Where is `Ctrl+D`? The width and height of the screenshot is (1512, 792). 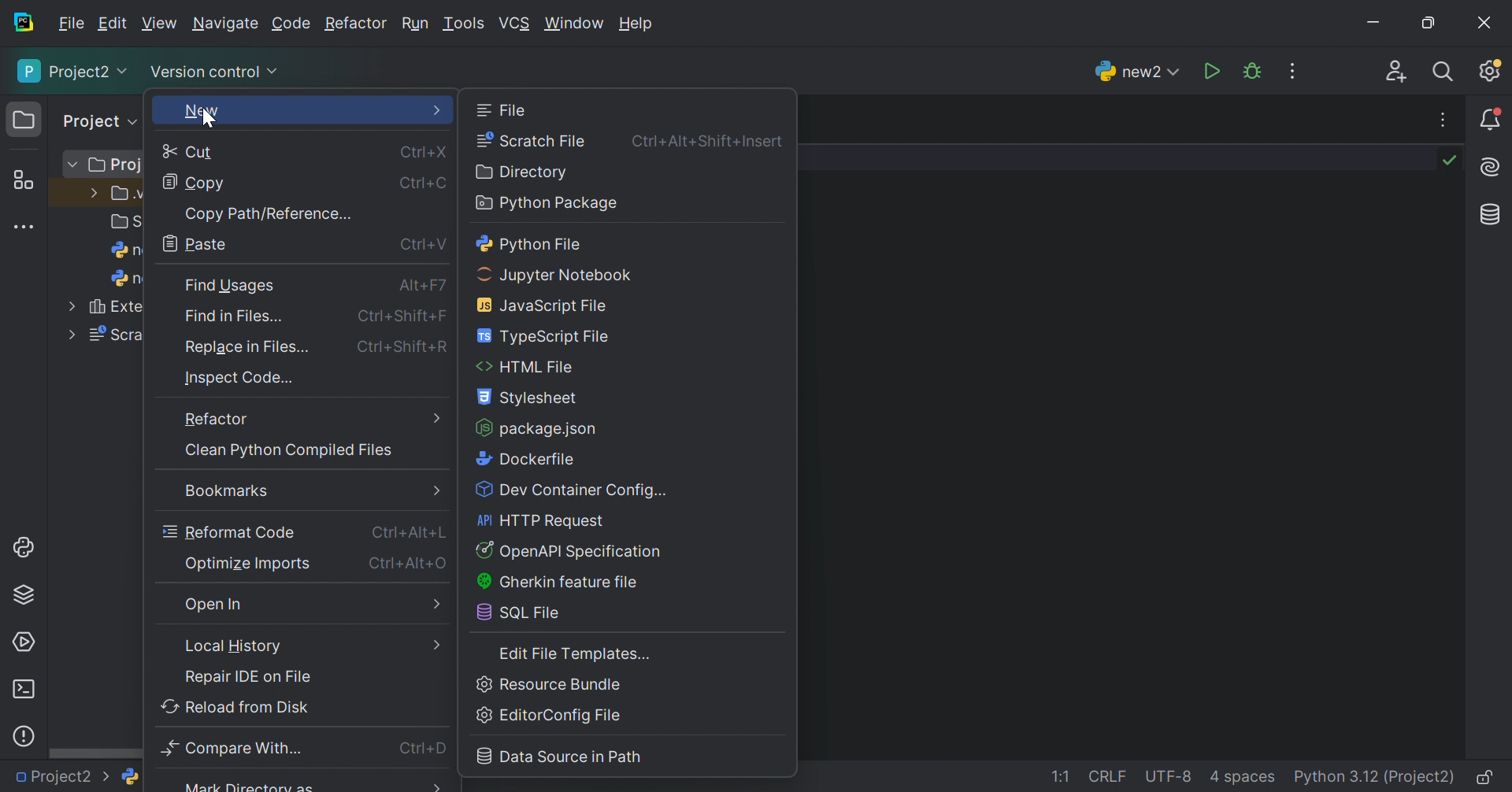 Ctrl+D is located at coordinates (423, 747).